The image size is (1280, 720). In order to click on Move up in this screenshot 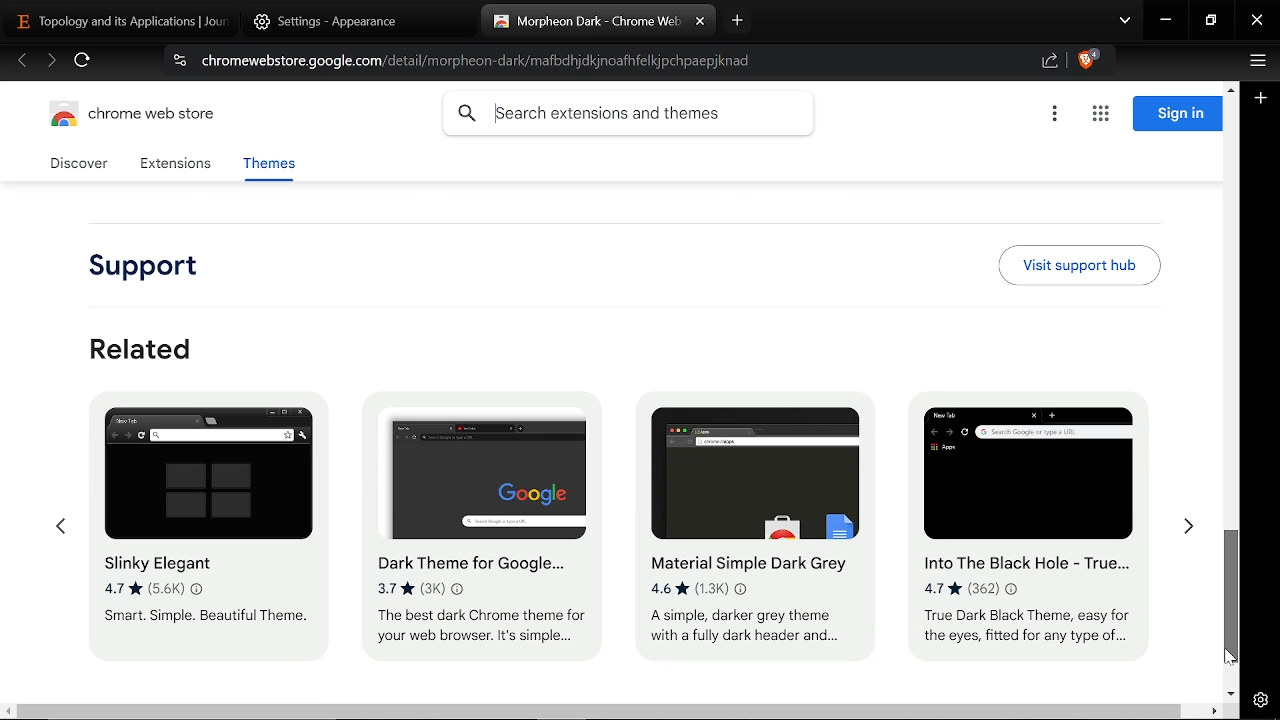, I will do `click(1230, 87)`.